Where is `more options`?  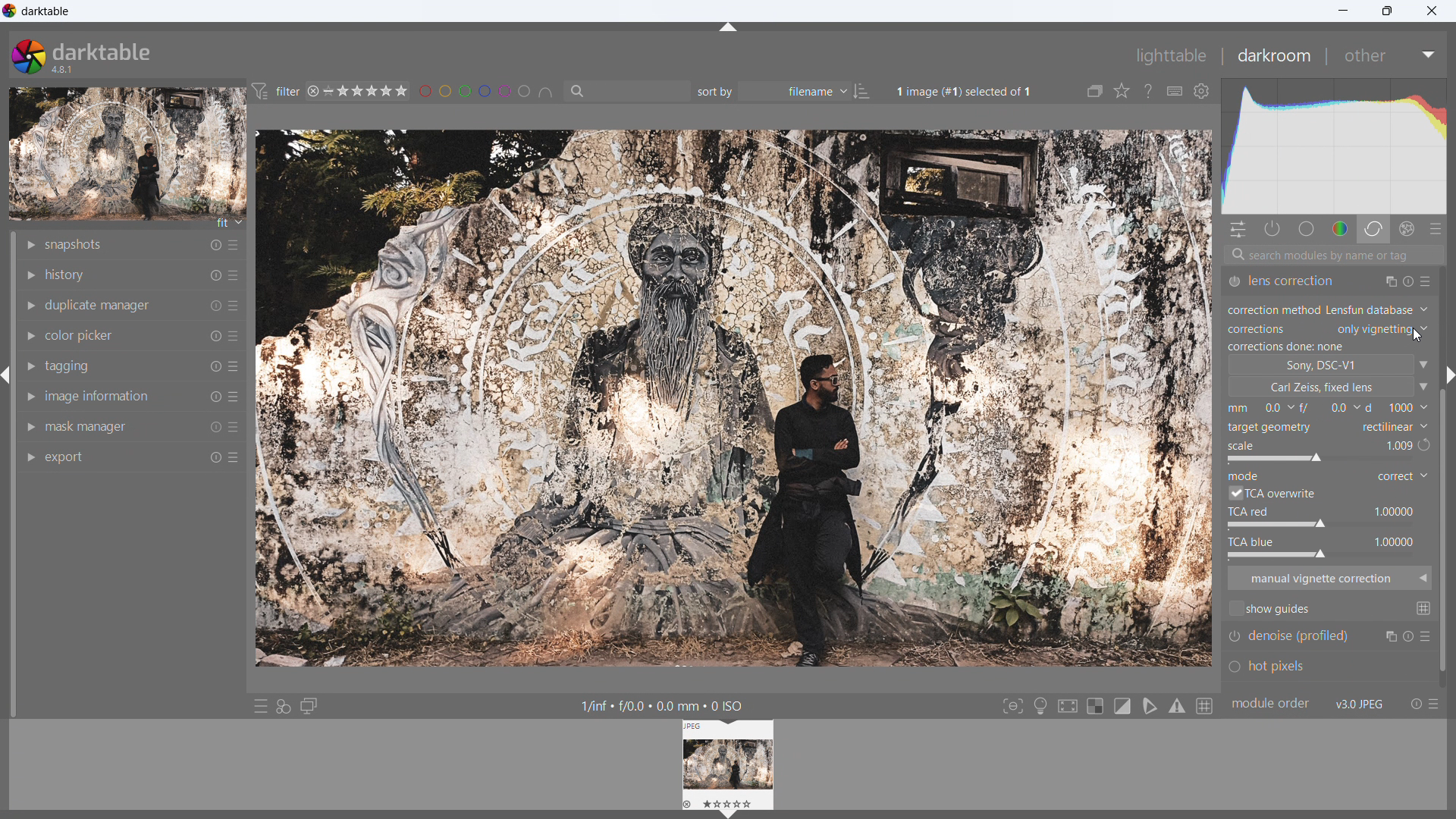
more options is located at coordinates (238, 367).